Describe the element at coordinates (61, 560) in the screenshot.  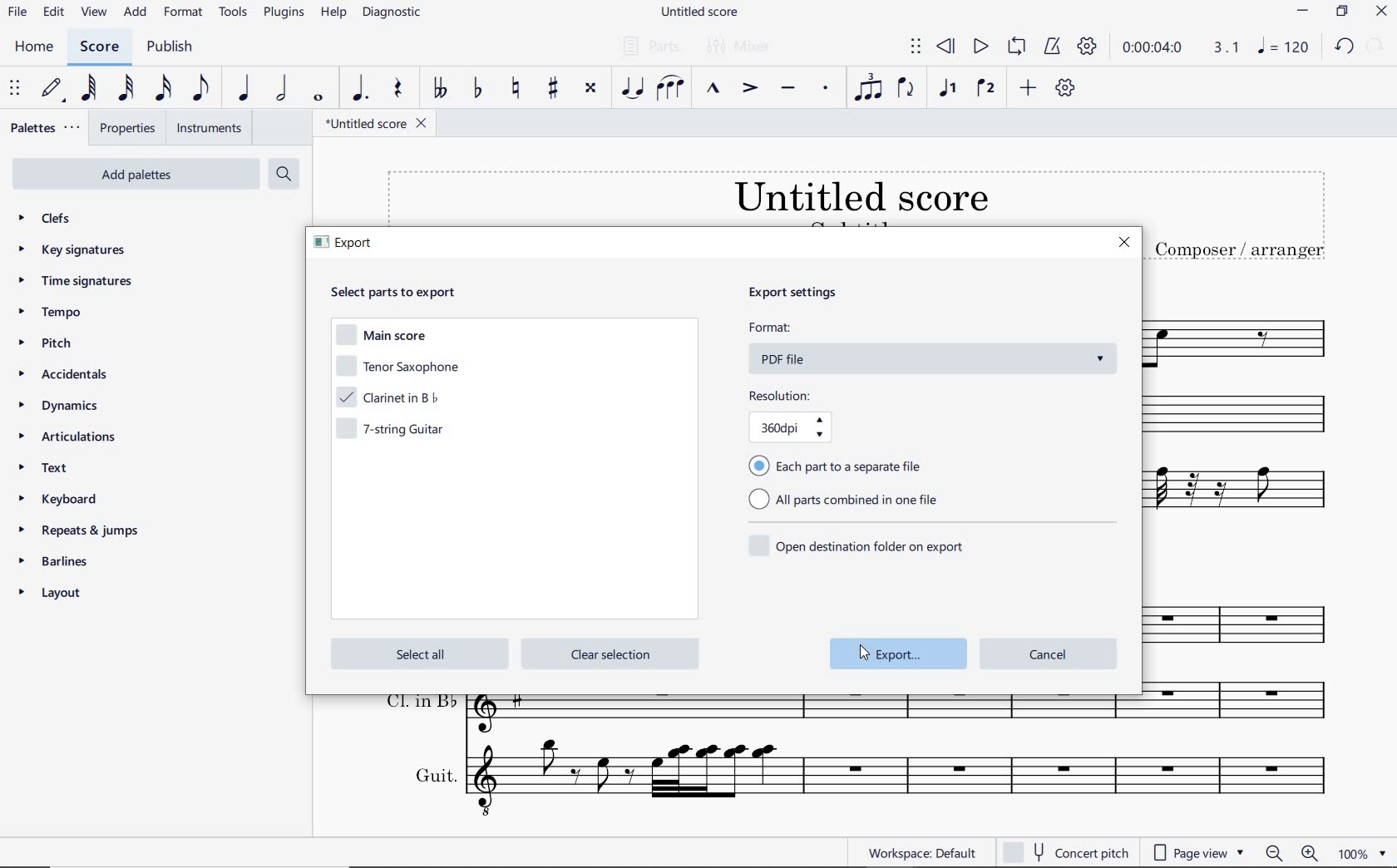
I see `barlines` at that location.